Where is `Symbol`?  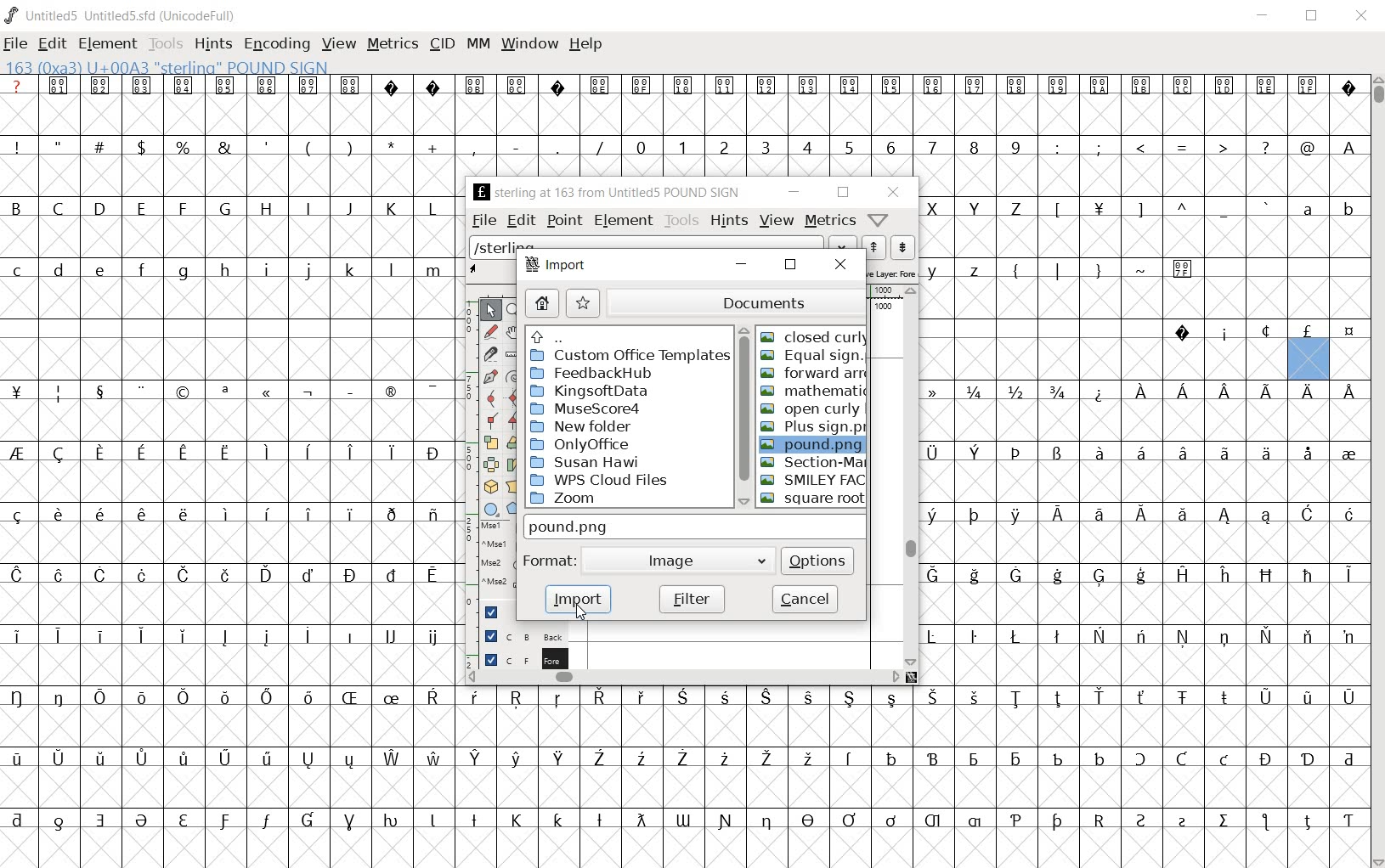
Symbol is located at coordinates (393, 821).